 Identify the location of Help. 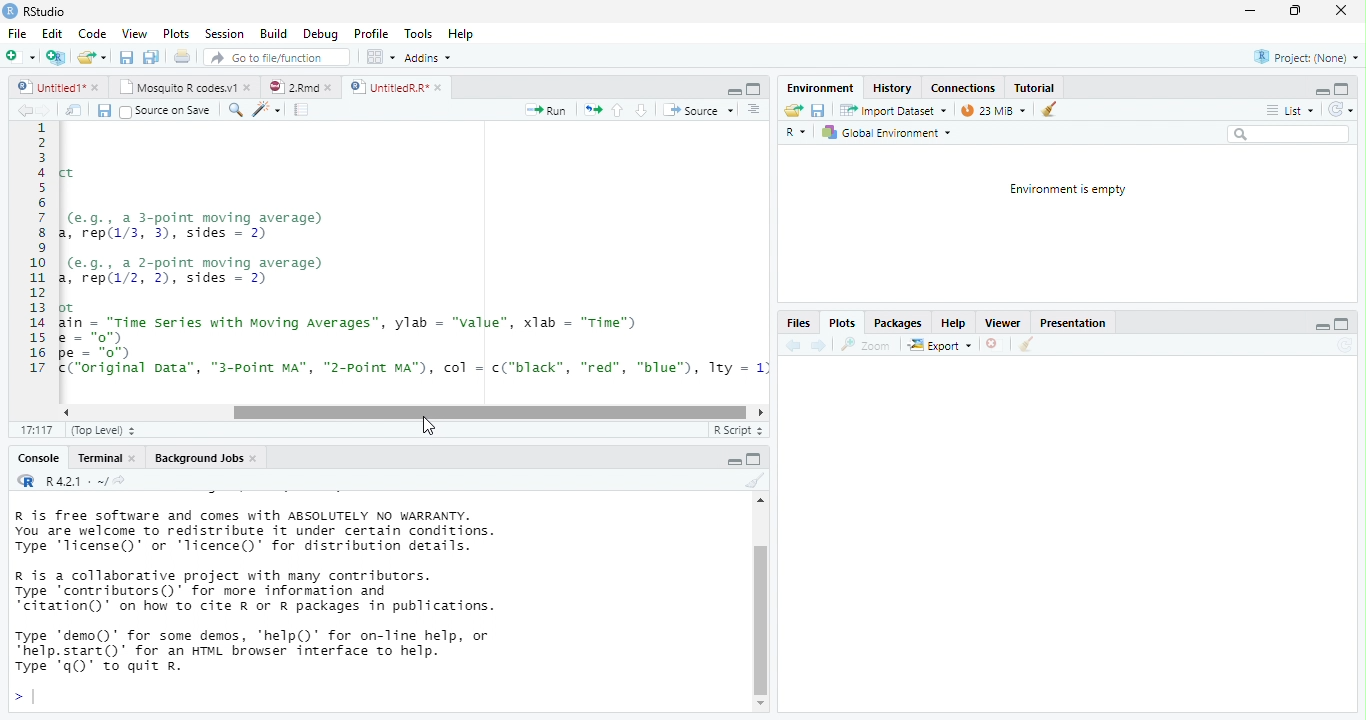
(951, 323).